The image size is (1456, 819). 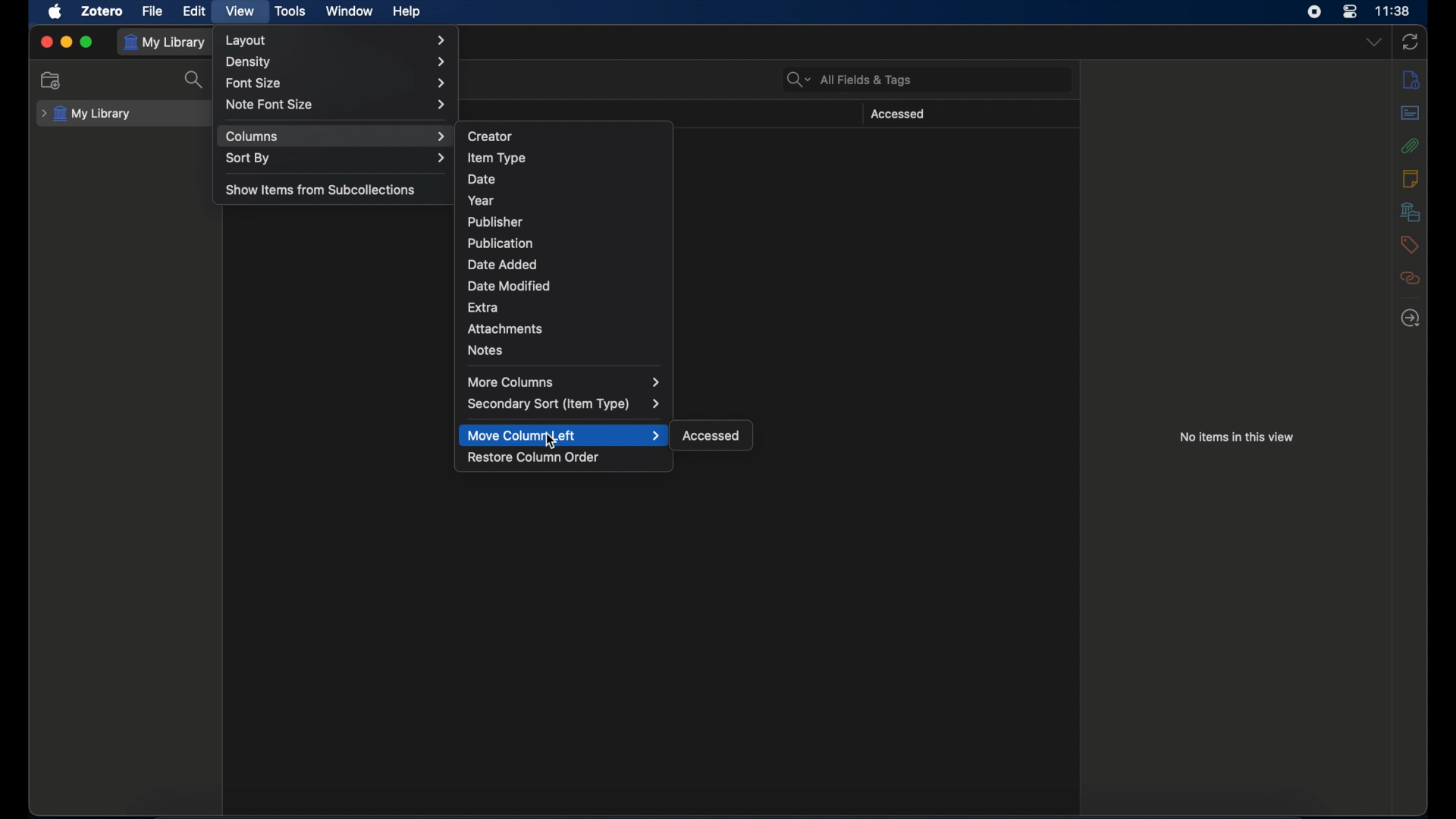 What do you see at coordinates (1314, 12) in the screenshot?
I see `screen recorder` at bounding box center [1314, 12].